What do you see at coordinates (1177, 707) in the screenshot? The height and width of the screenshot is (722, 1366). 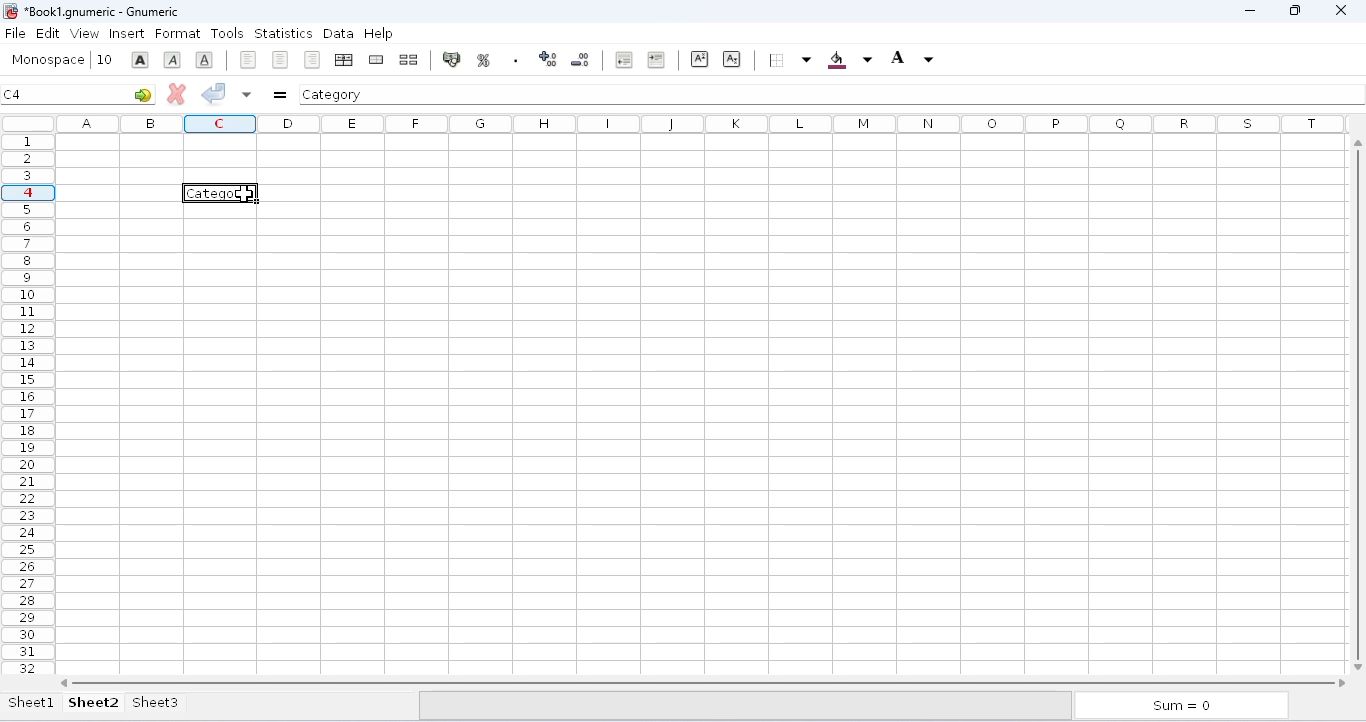 I see `Sum = 0` at bounding box center [1177, 707].